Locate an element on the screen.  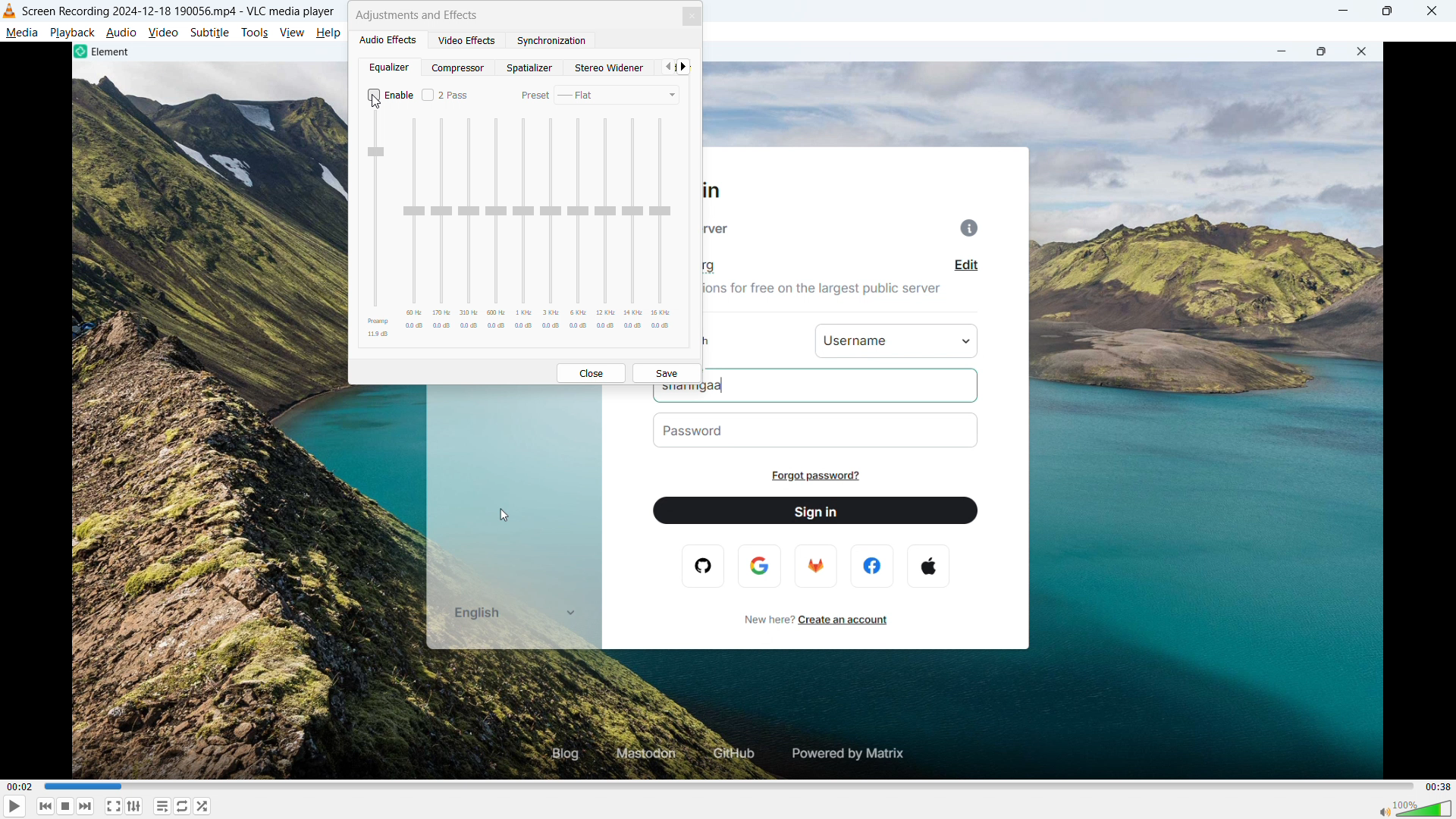
Close is located at coordinates (690, 16).